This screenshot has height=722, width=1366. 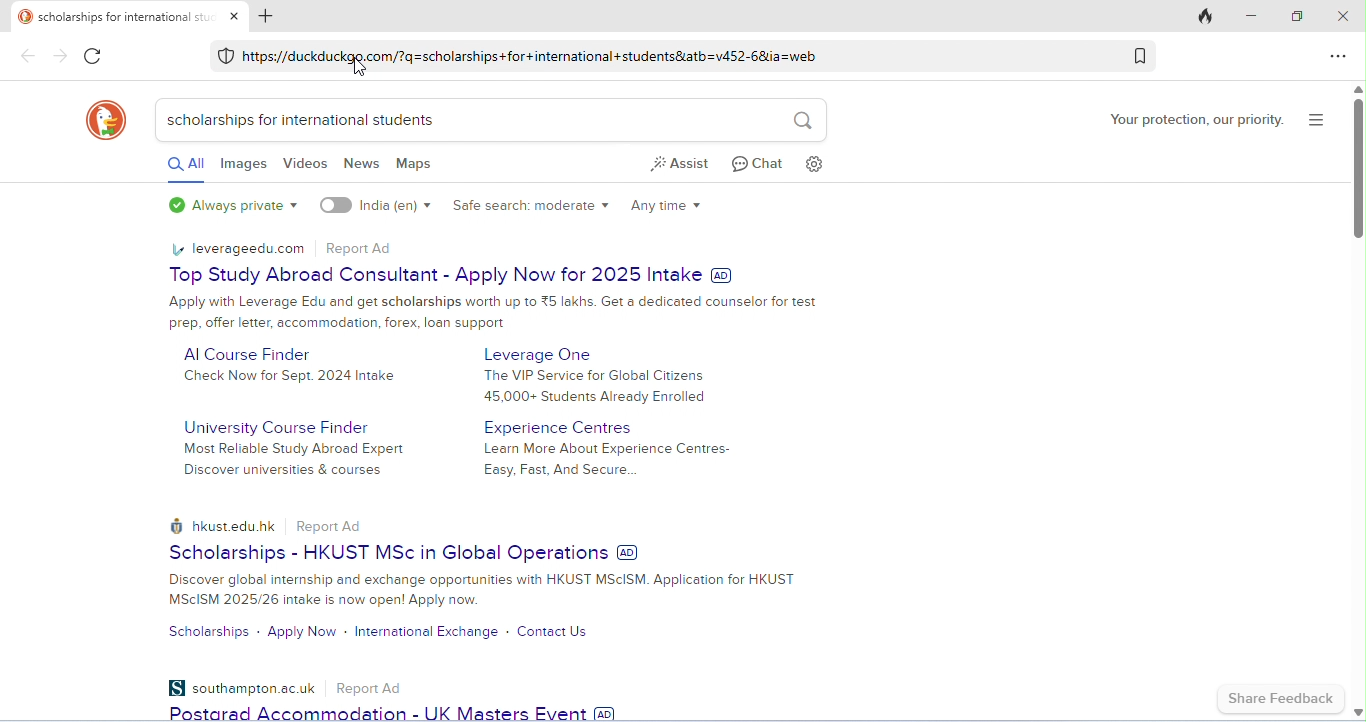 What do you see at coordinates (606, 462) in the screenshot?
I see `Learn More About Experience Centres-Easy, Fast, And Secure...` at bounding box center [606, 462].